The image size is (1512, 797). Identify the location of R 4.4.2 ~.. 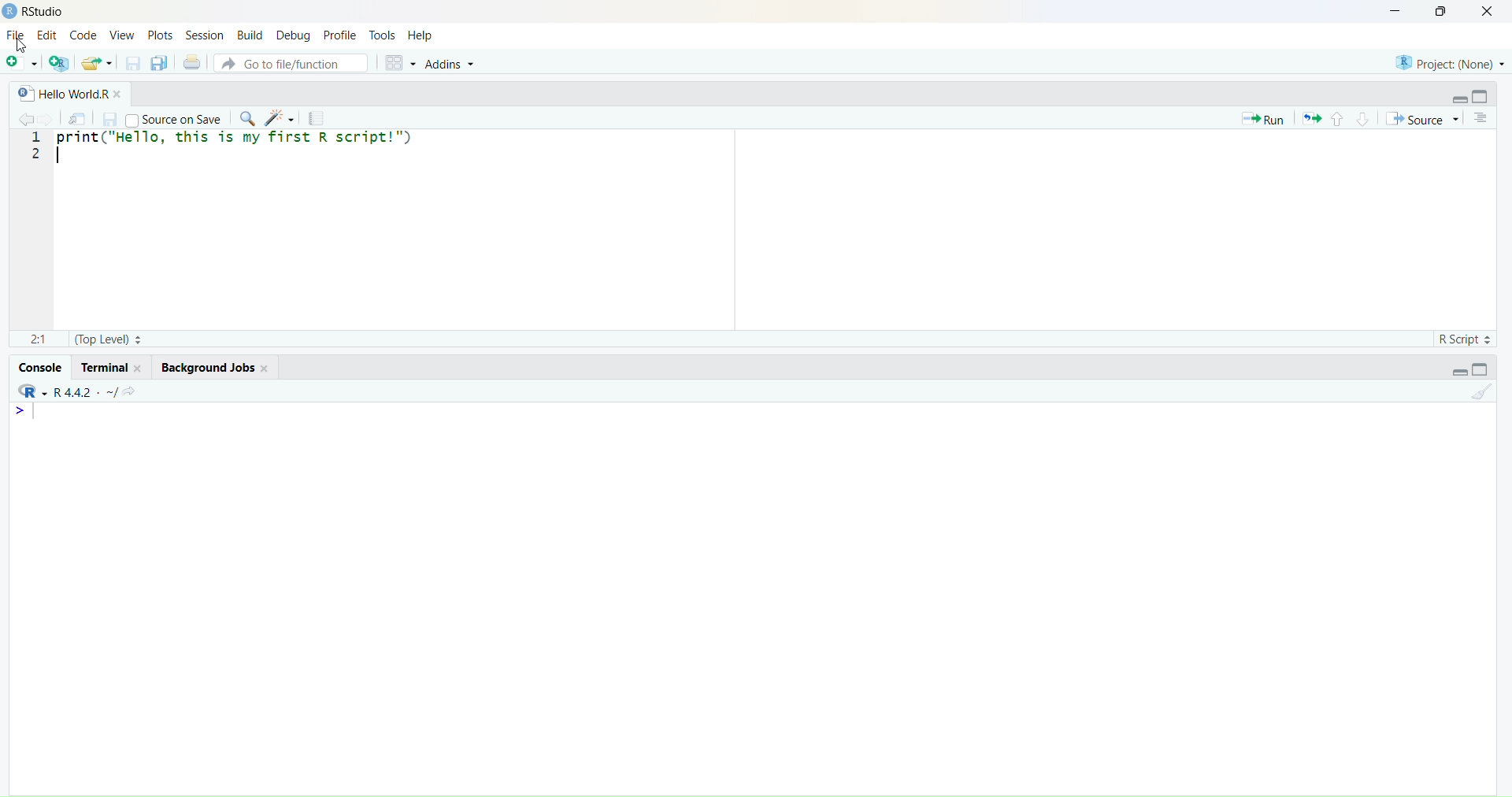
(84, 391).